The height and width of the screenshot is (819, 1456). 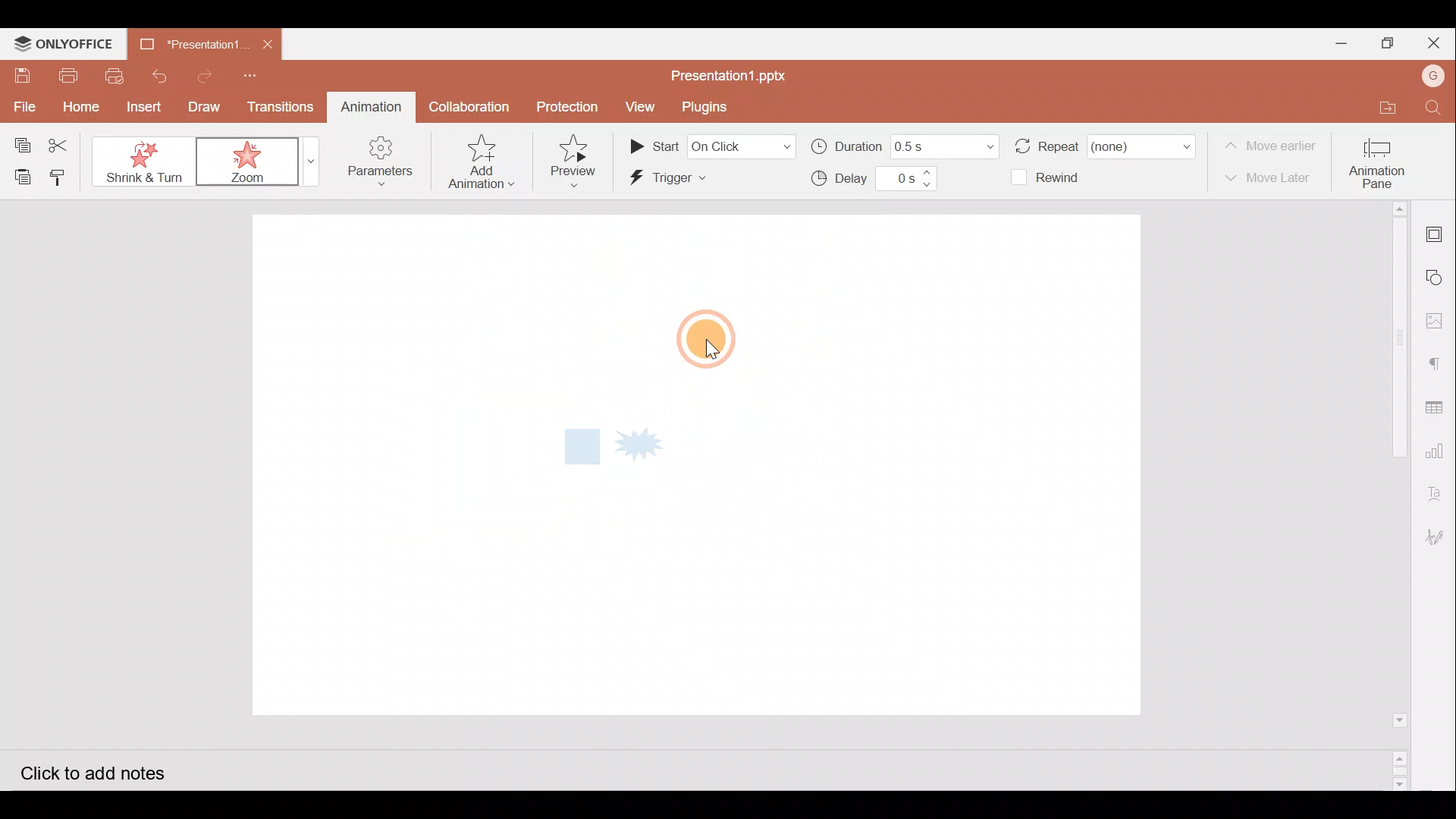 I want to click on Repeat, so click(x=1103, y=140).